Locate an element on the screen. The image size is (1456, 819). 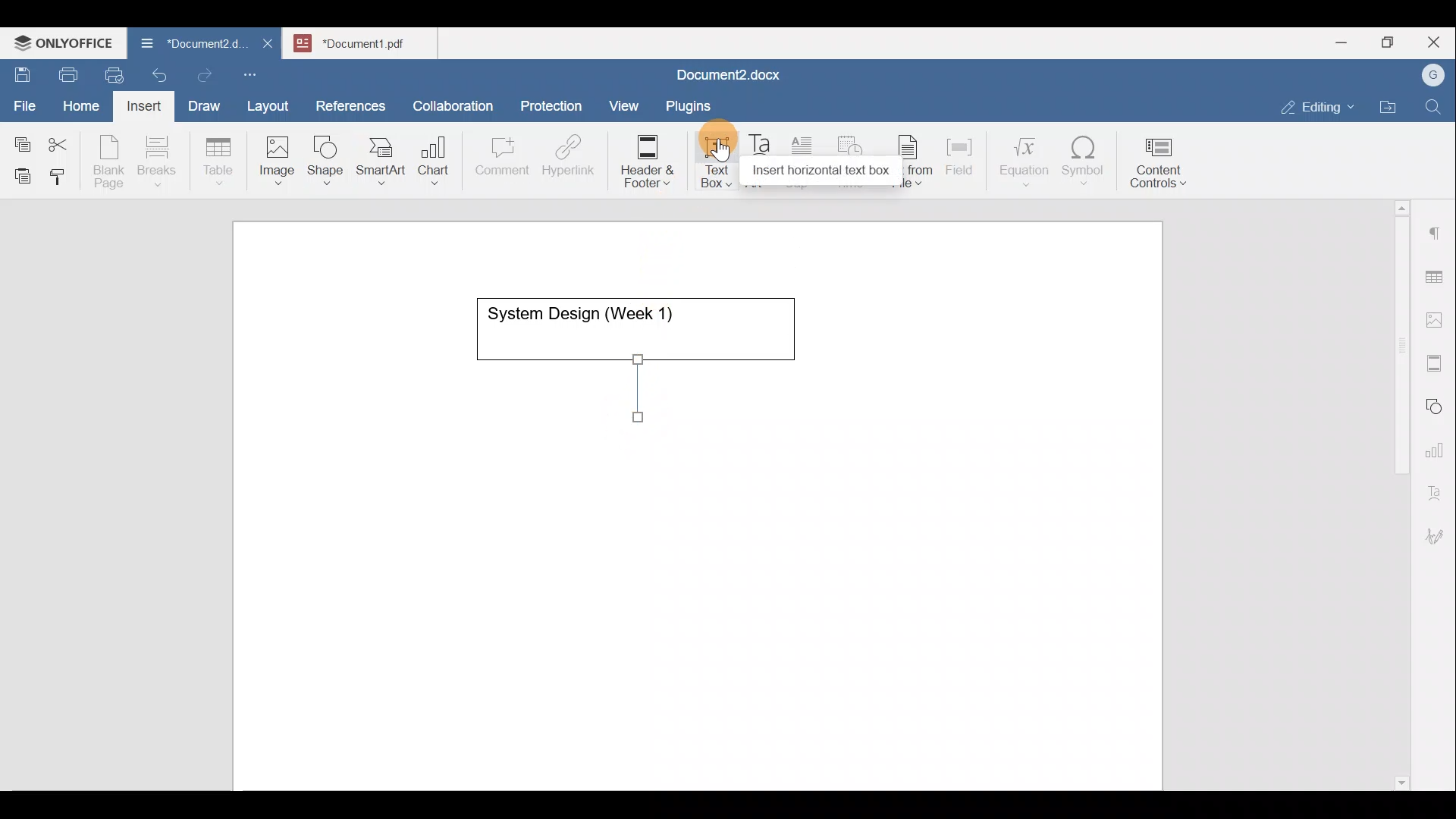
Text Art is located at coordinates (760, 162).